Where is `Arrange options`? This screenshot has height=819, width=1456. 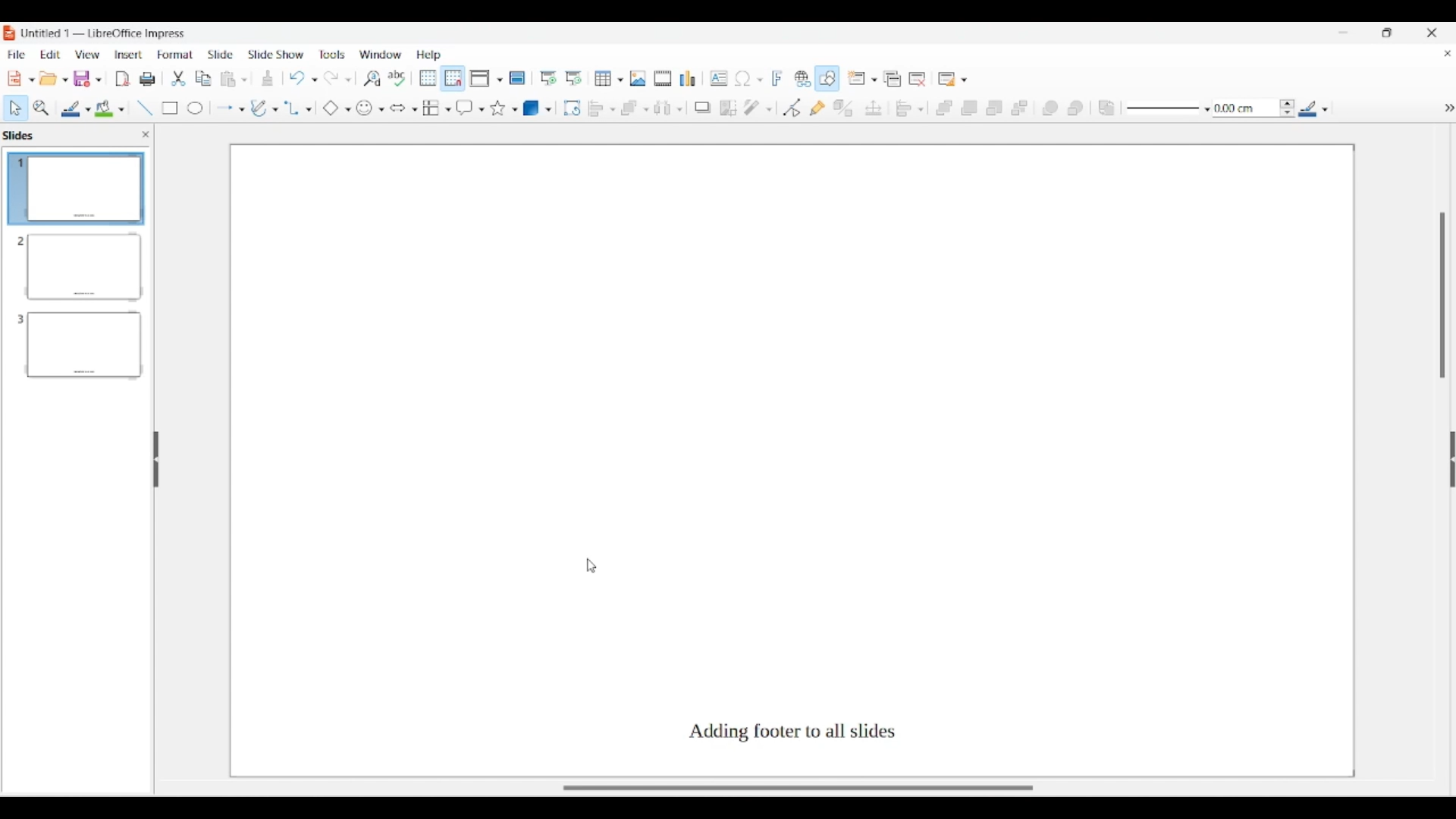 Arrange options is located at coordinates (634, 108).